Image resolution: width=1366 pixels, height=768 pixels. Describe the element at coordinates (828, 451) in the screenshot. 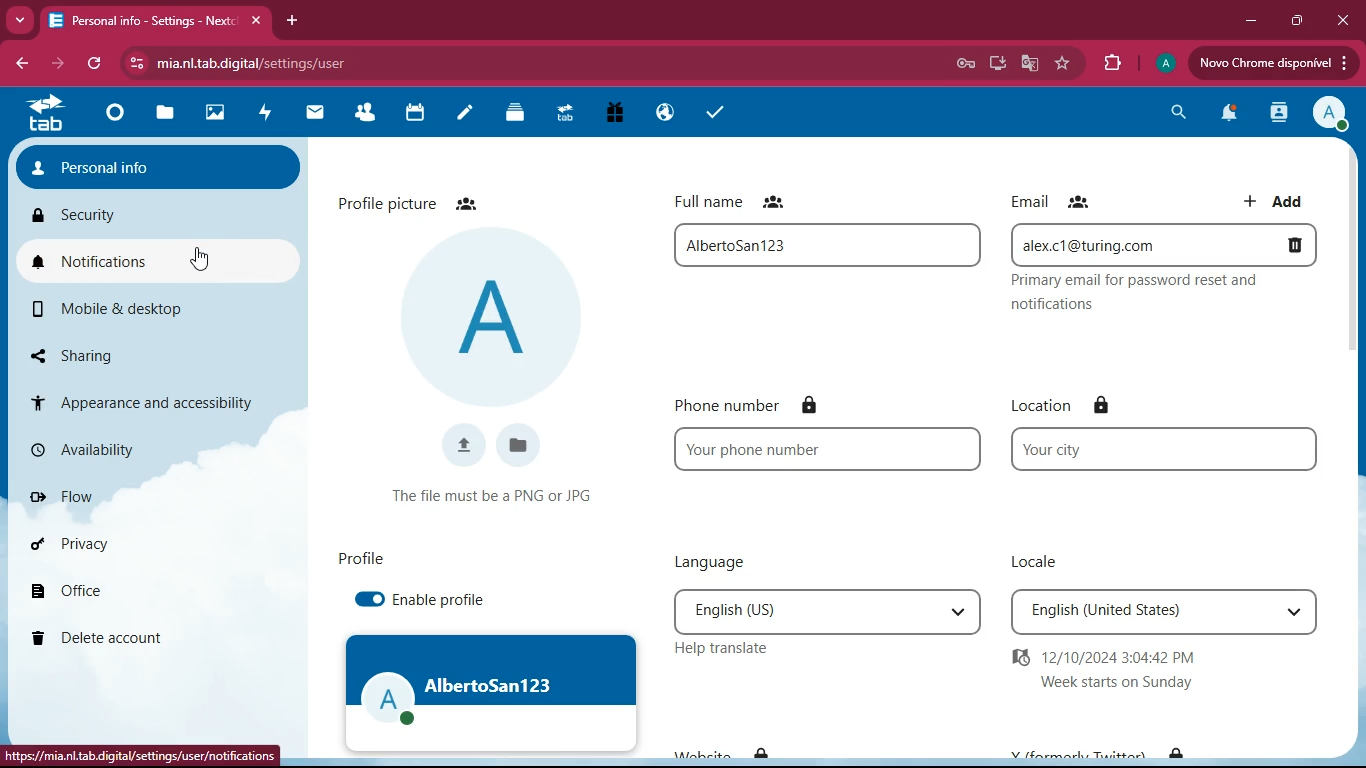

I see `phone number` at that location.